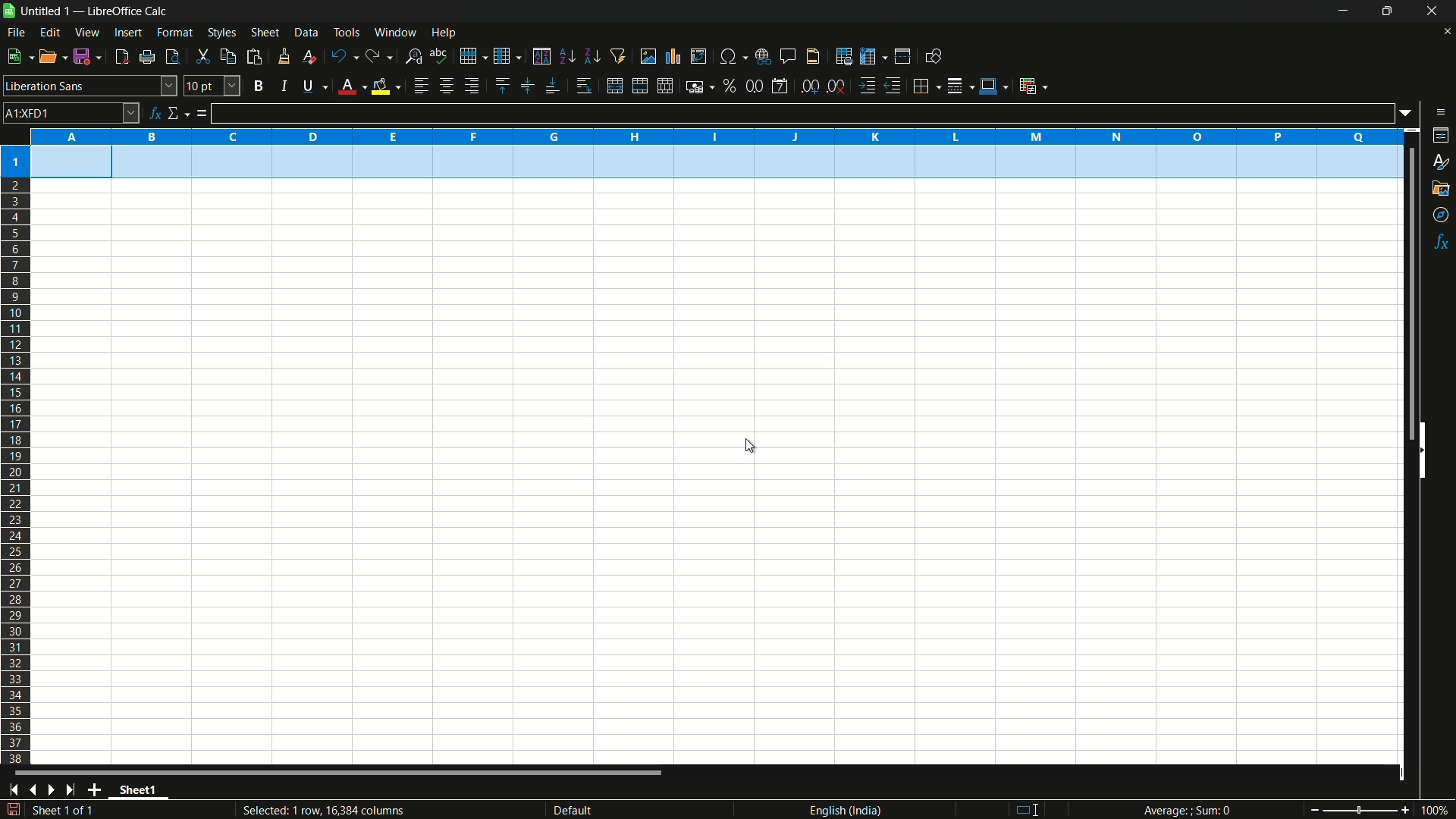  Describe the element at coordinates (55, 789) in the screenshot. I see `next sheet` at that location.